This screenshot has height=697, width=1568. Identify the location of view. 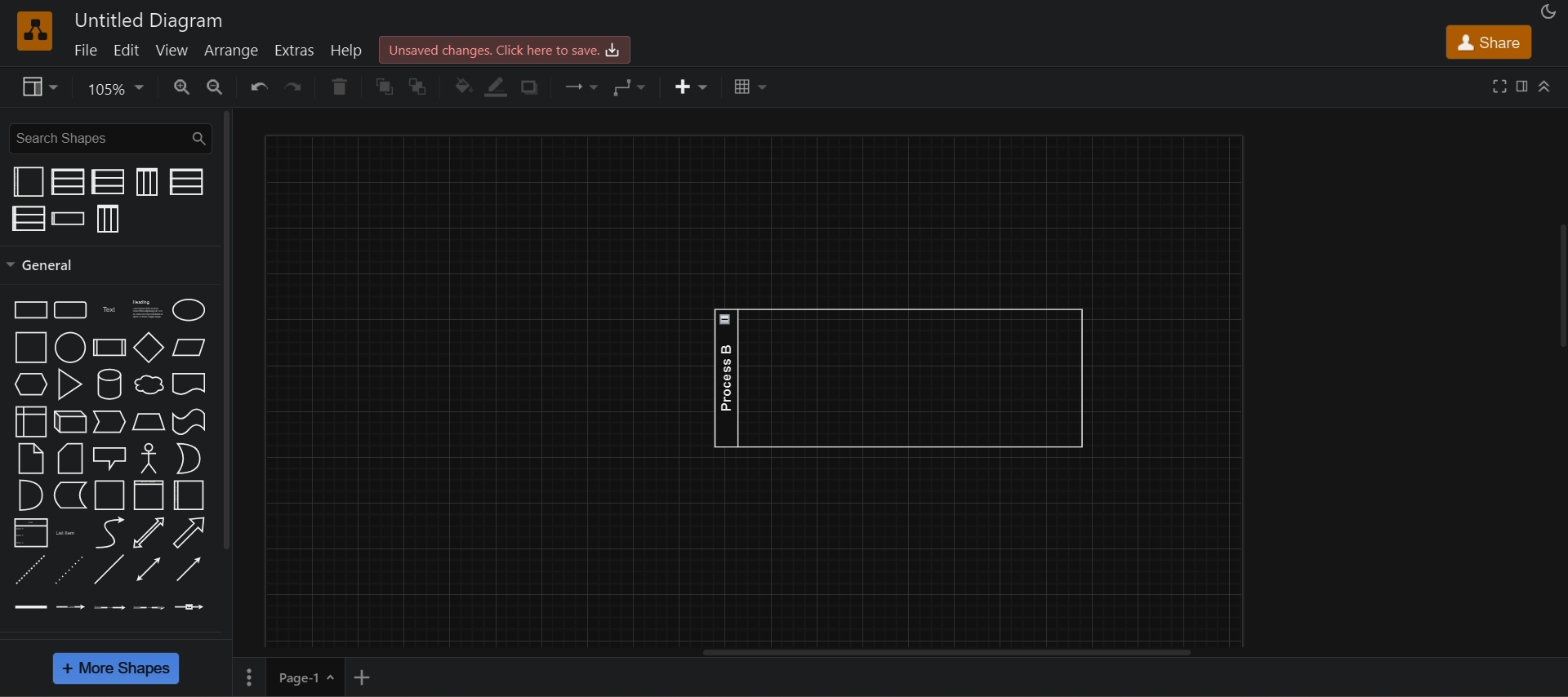
(172, 48).